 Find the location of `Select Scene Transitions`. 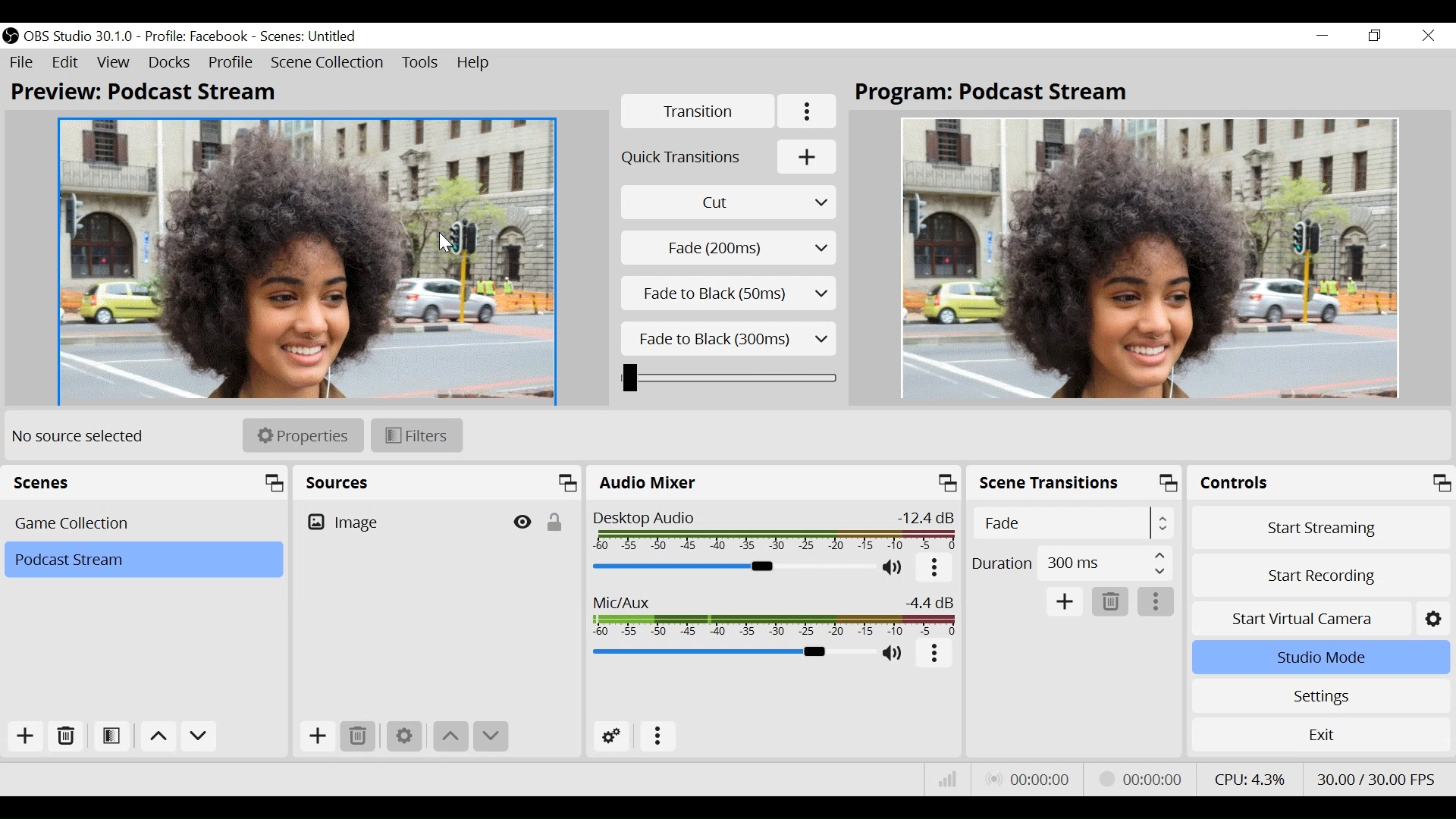

Select Scene Transitions is located at coordinates (1075, 522).